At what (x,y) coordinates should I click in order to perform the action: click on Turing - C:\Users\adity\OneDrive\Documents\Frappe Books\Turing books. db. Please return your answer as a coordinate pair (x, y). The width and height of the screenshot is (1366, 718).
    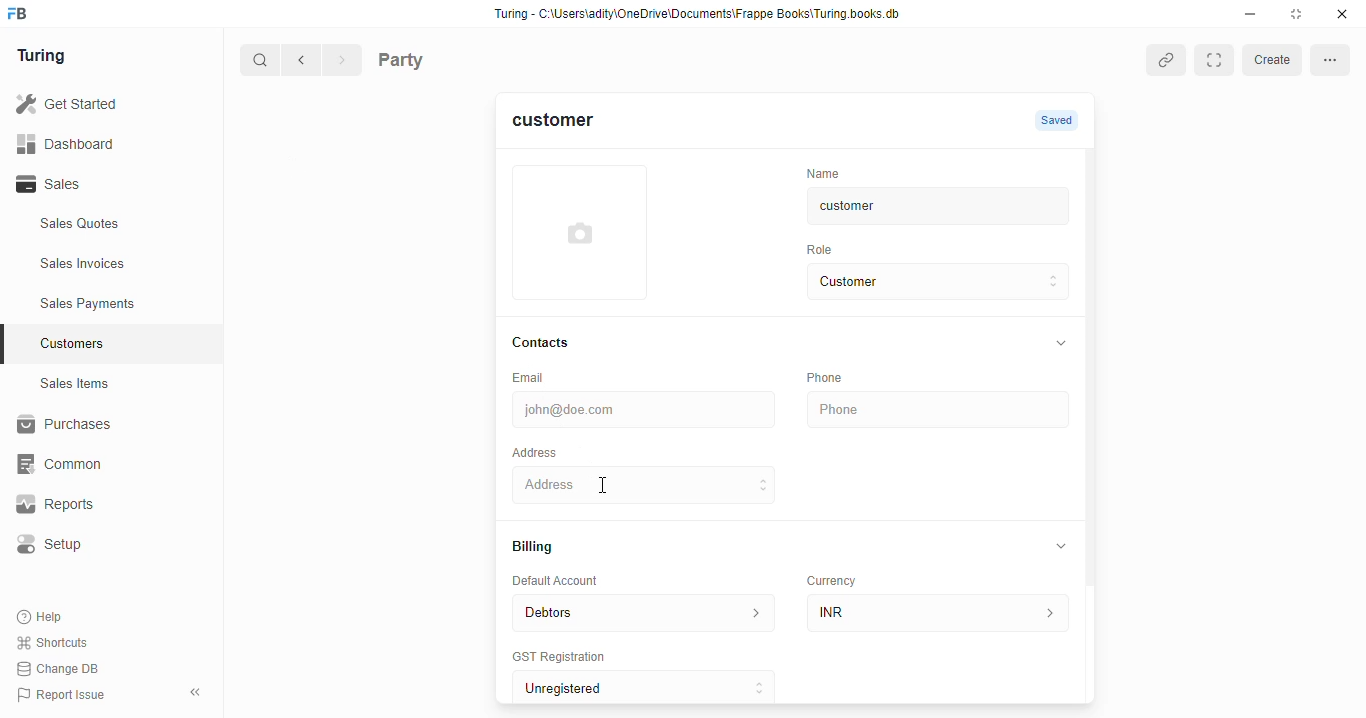
    Looking at the image, I should click on (703, 16).